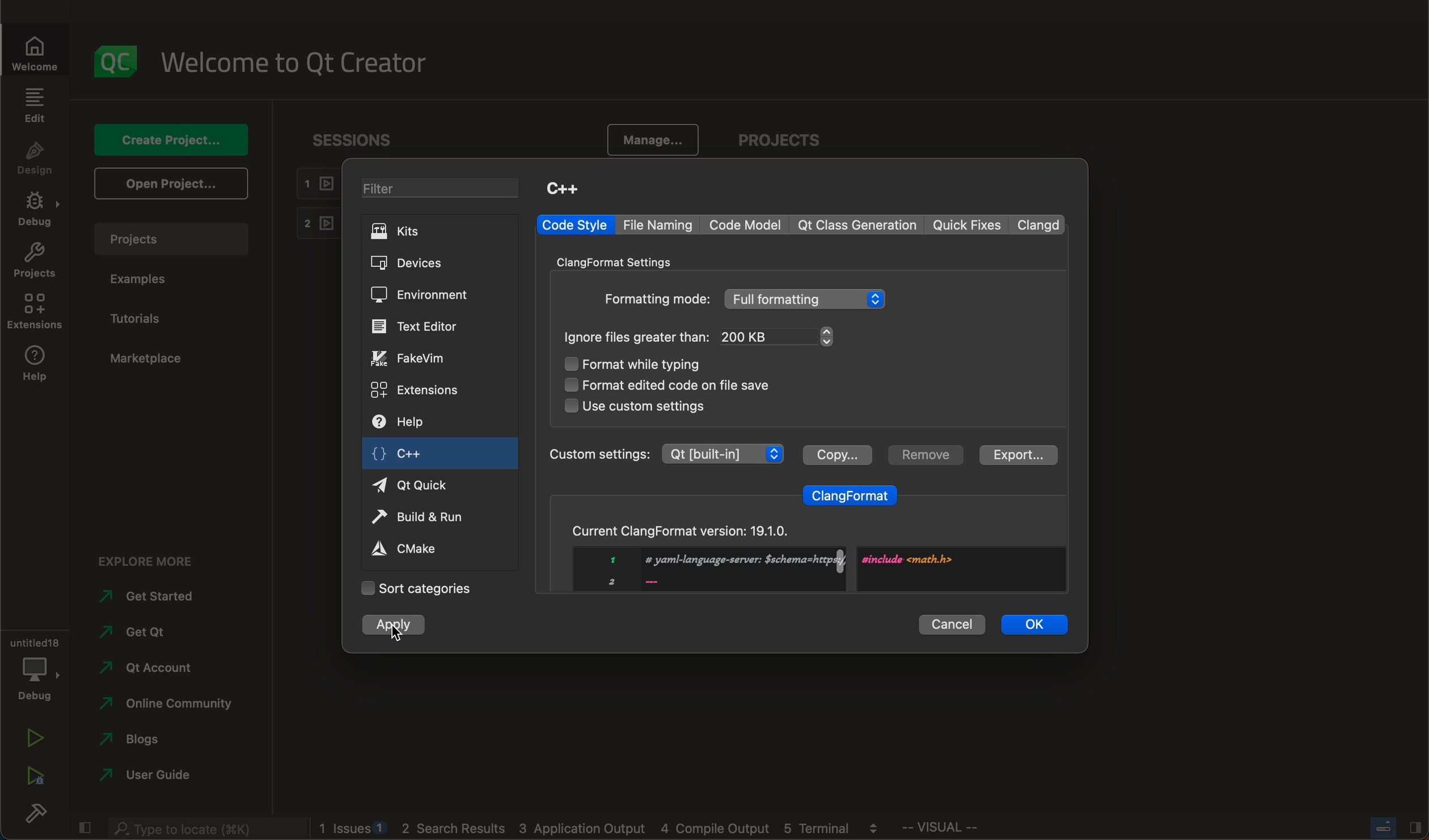 The image size is (1429, 840). Describe the element at coordinates (684, 384) in the screenshot. I see `format edited` at that location.